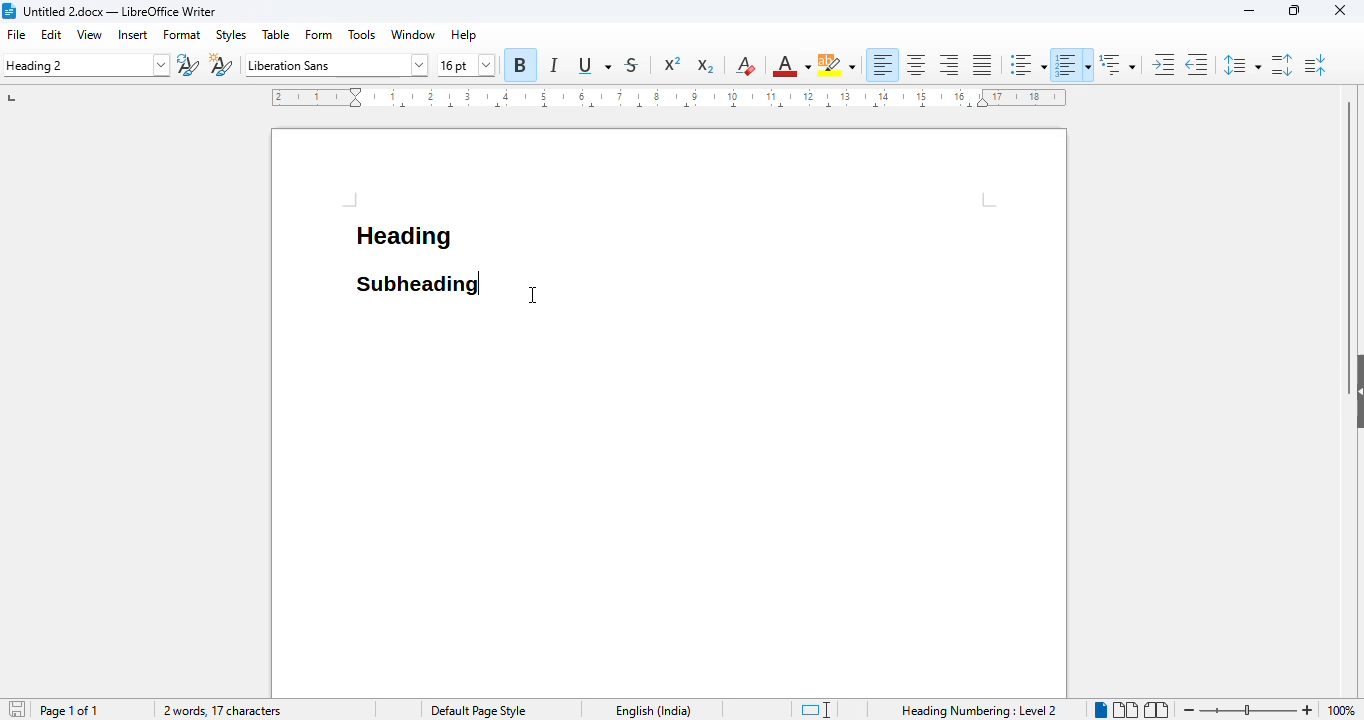 This screenshot has height=720, width=1364. Describe the element at coordinates (1355, 387) in the screenshot. I see `show` at that location.